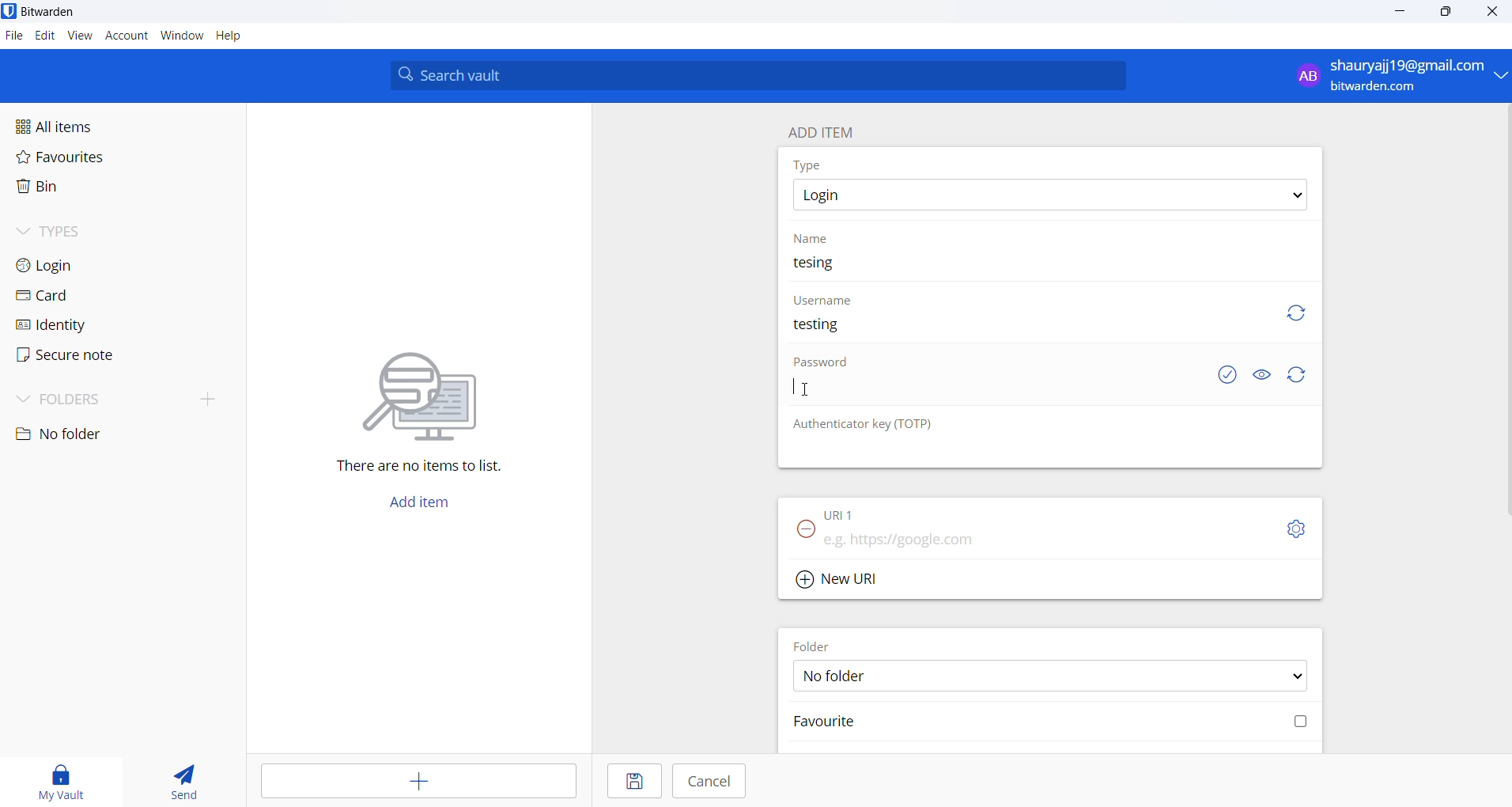  I want to click on login and logout options, so click(1400, 77).